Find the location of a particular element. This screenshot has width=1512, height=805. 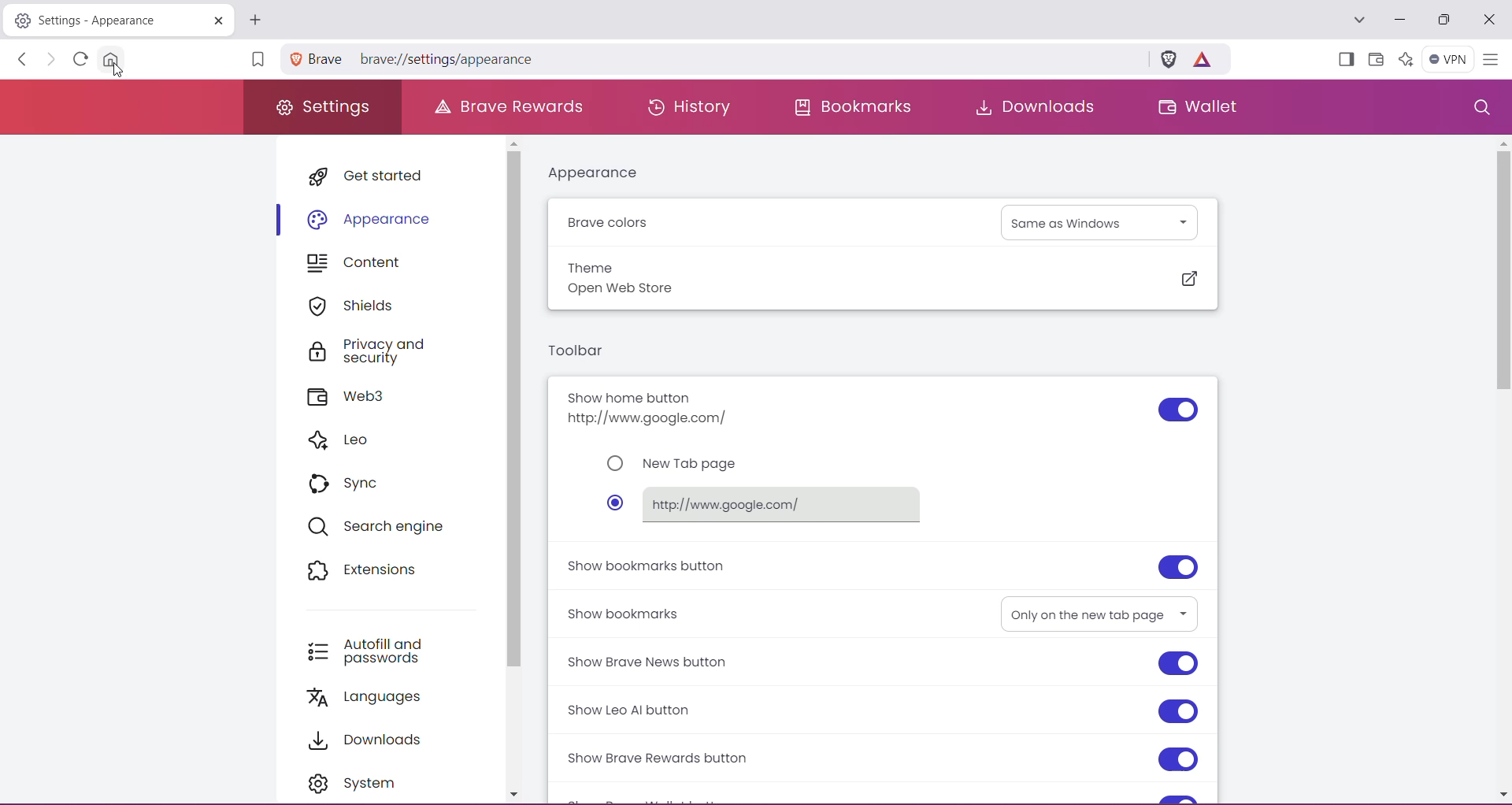

Open the Homepage is located at coordinates (113, 59).